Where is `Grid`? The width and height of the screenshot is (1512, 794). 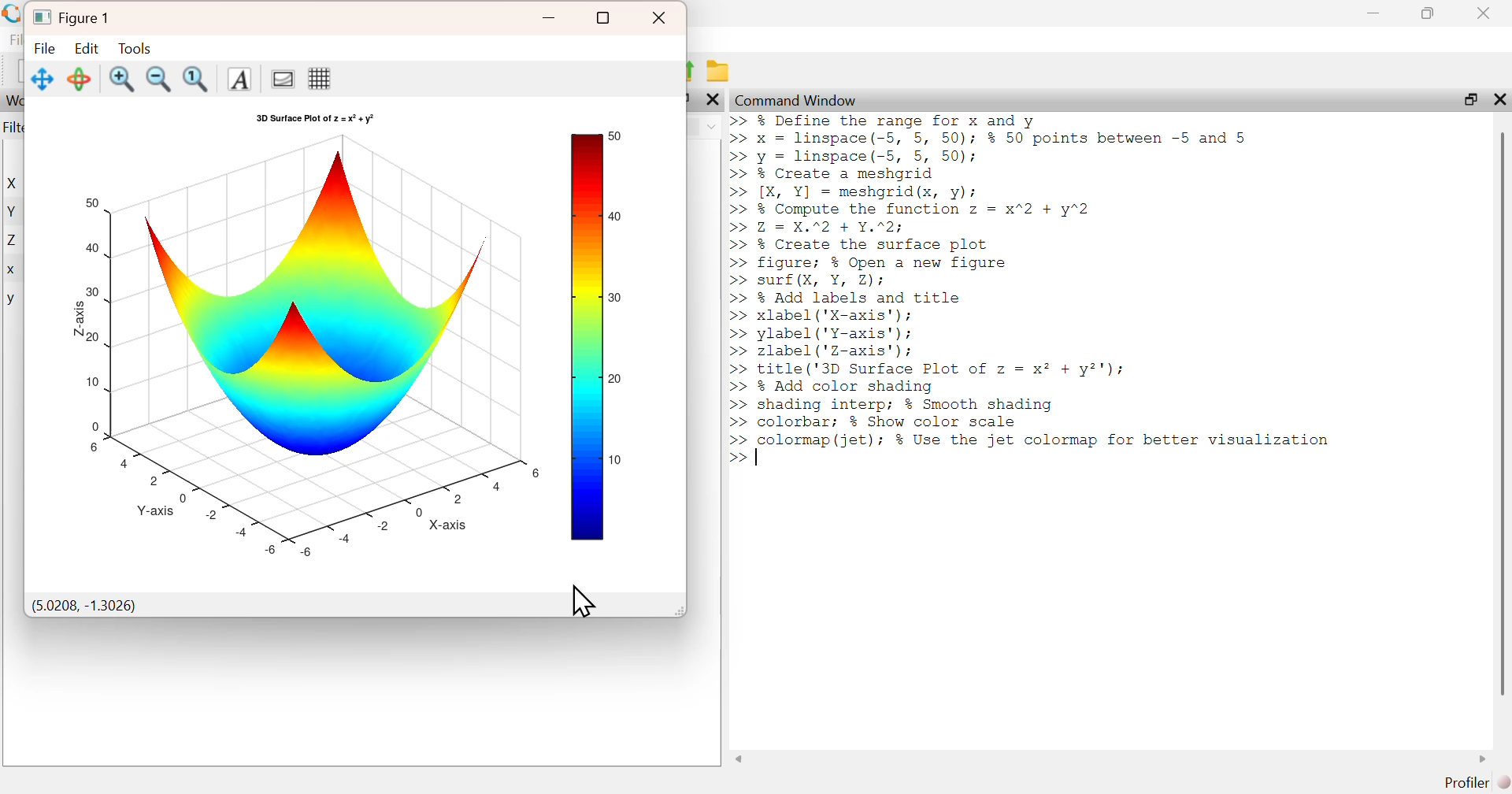
Grid is located at coordinates (319, 78).